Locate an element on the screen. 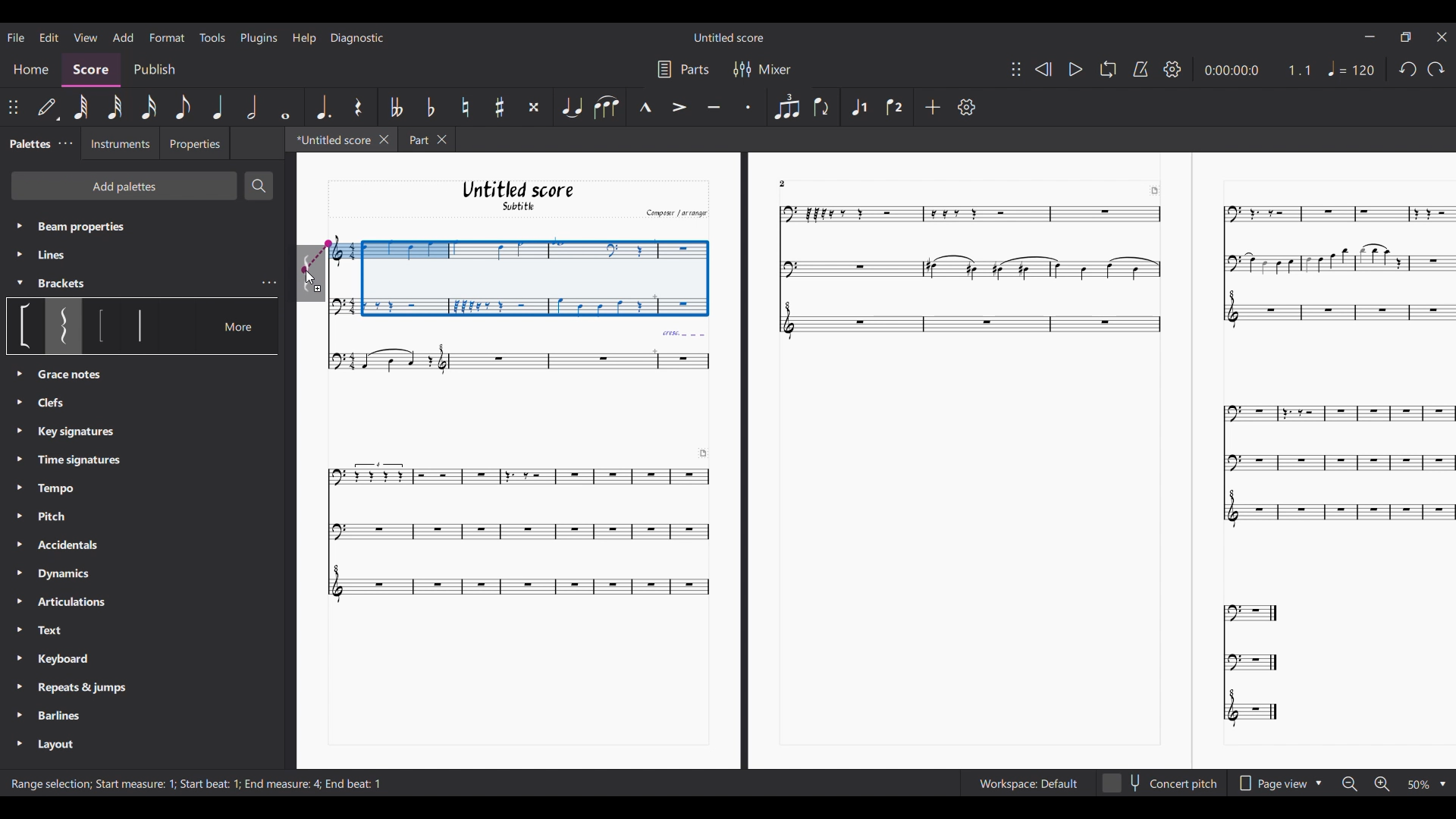 Image resolution: width=1456 pixels, height=819 pixels.  is located at coordinates (973, 215).